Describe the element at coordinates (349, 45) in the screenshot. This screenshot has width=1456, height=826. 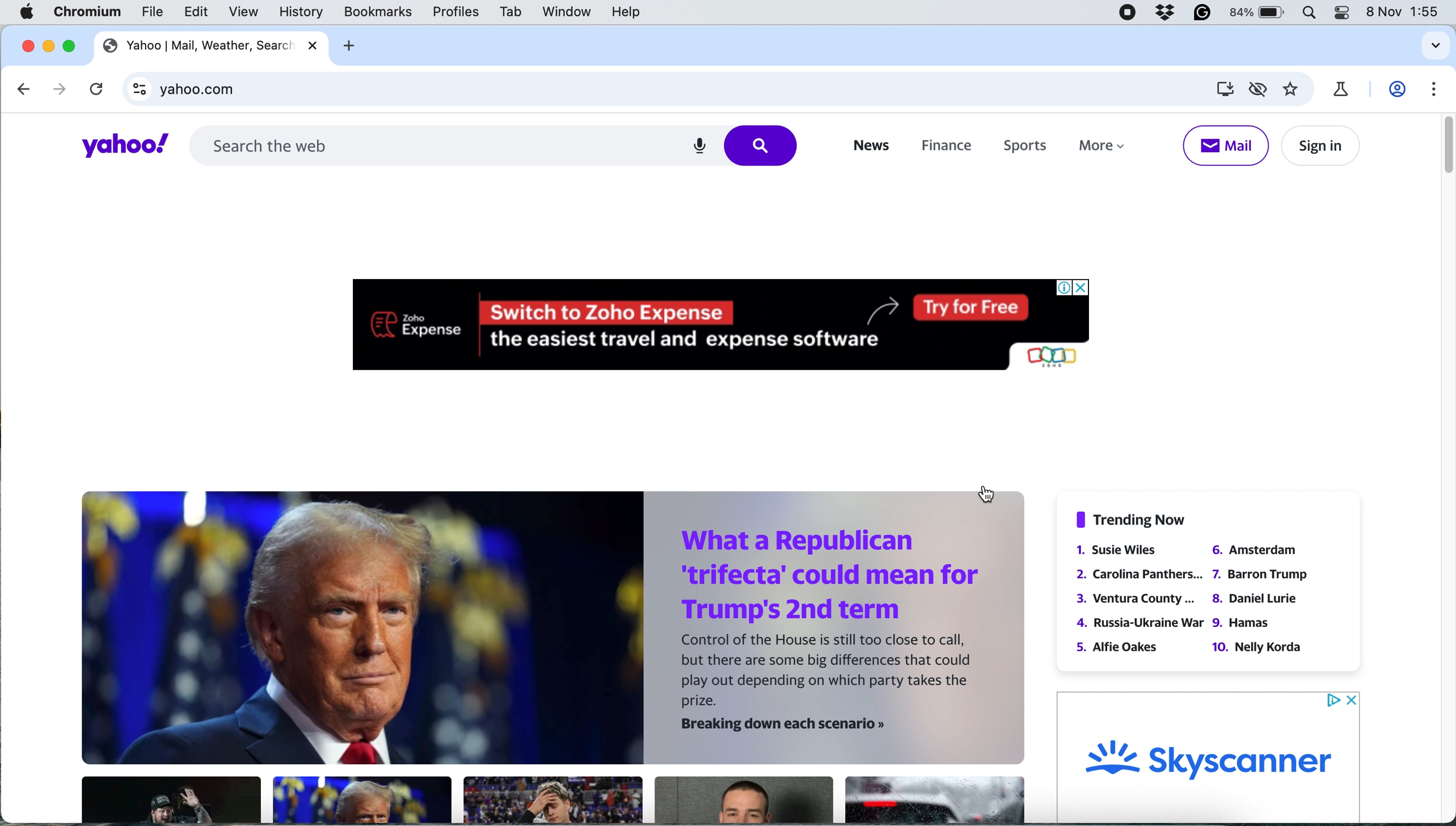
I see `add new tab` at that location.